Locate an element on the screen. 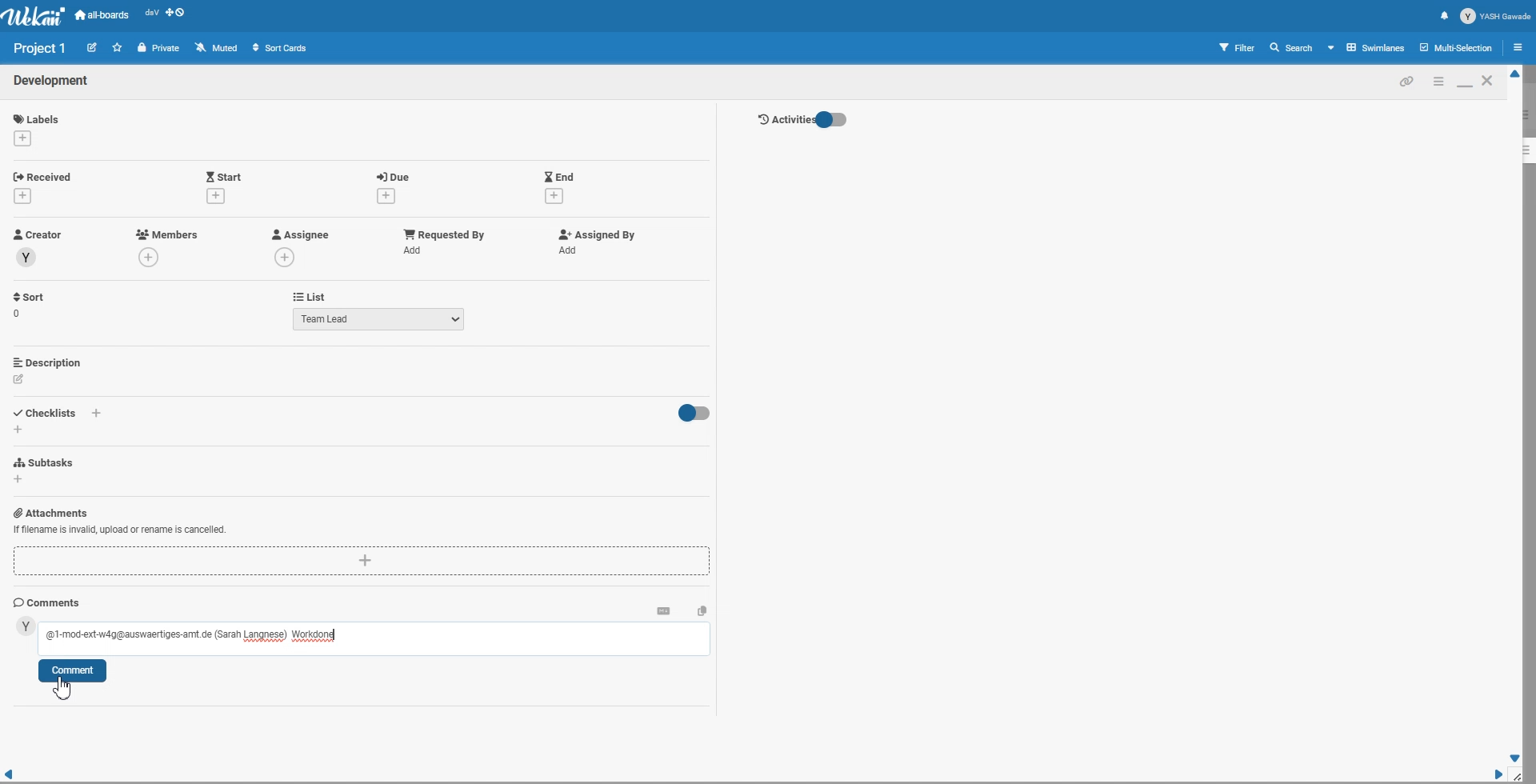  add is located at coordinates (416, 250).